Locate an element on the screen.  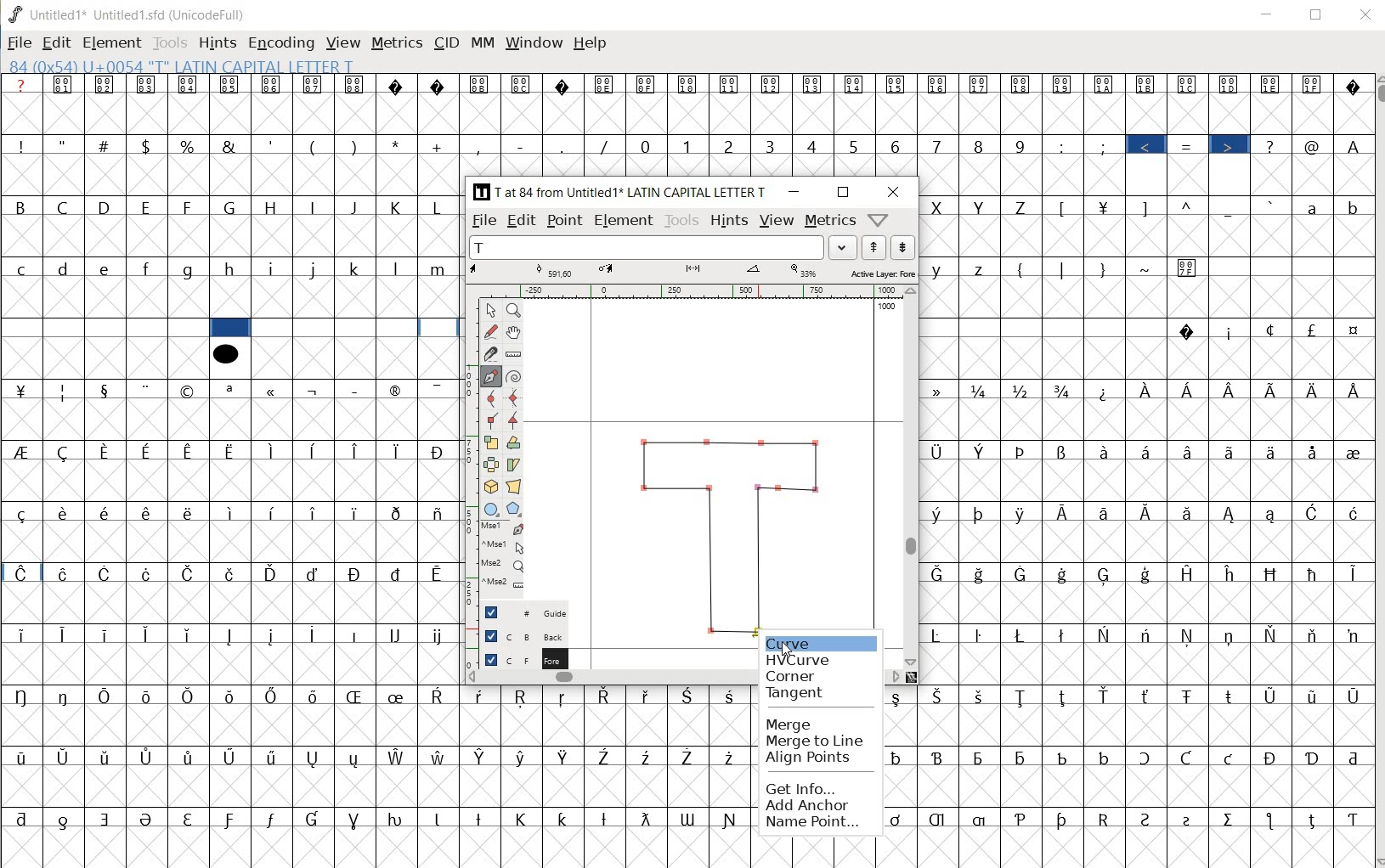
Symbol is located at coordinates (1105, 574).